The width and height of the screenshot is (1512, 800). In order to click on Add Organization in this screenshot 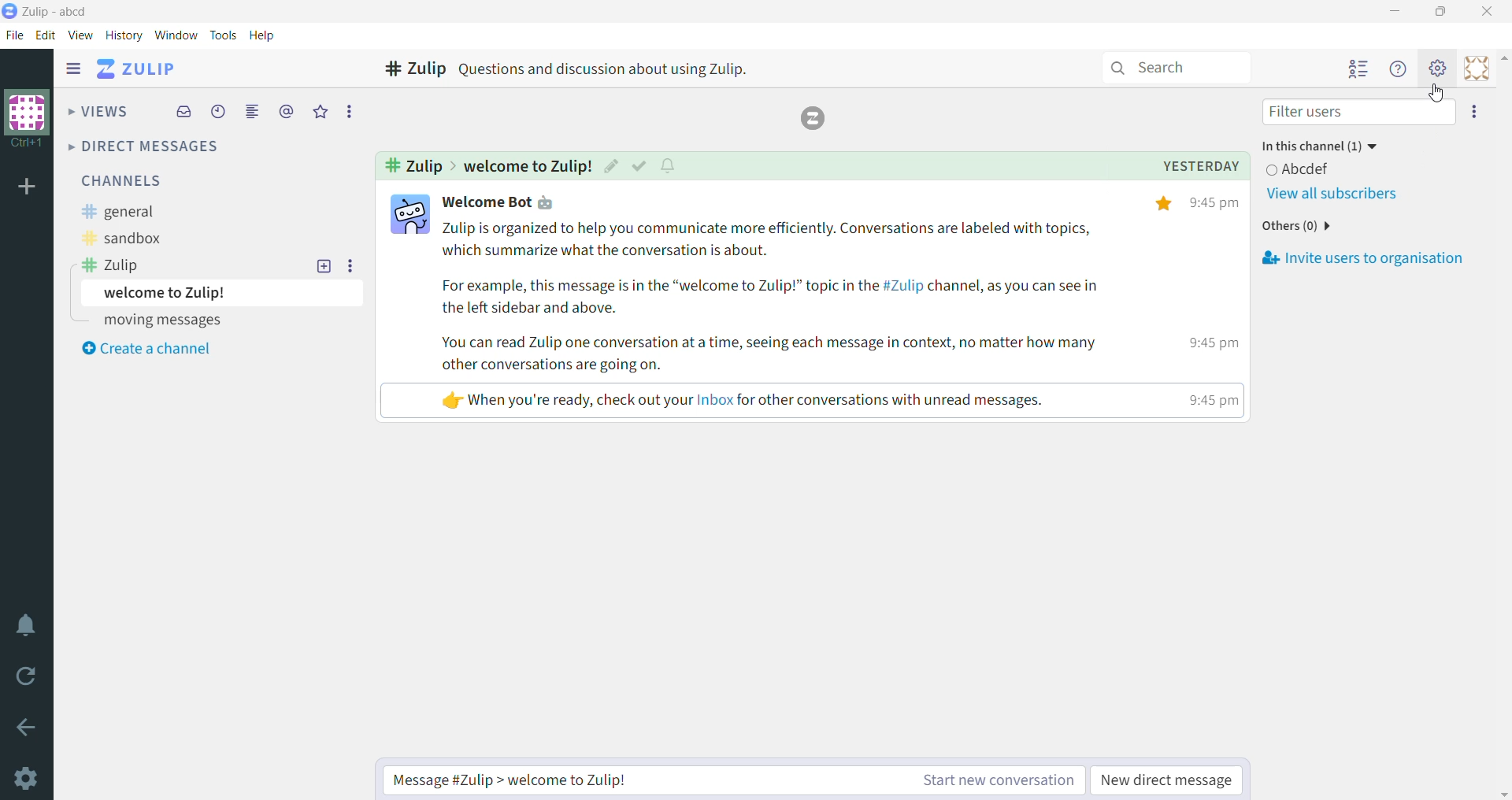, I will do `click(28, 188)`.